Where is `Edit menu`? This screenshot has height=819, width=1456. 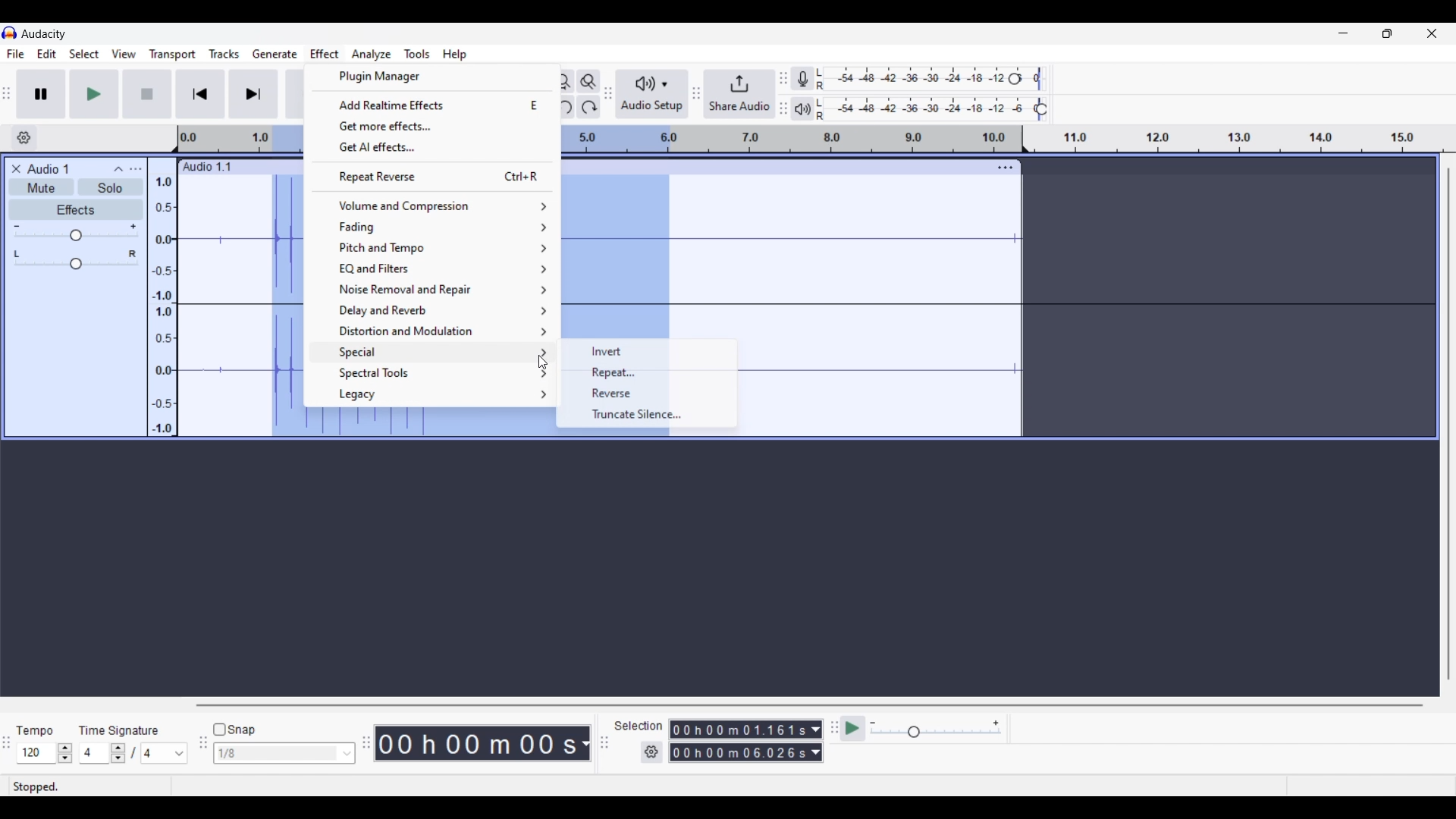
Edit menu is located at coordinates (47, 53).